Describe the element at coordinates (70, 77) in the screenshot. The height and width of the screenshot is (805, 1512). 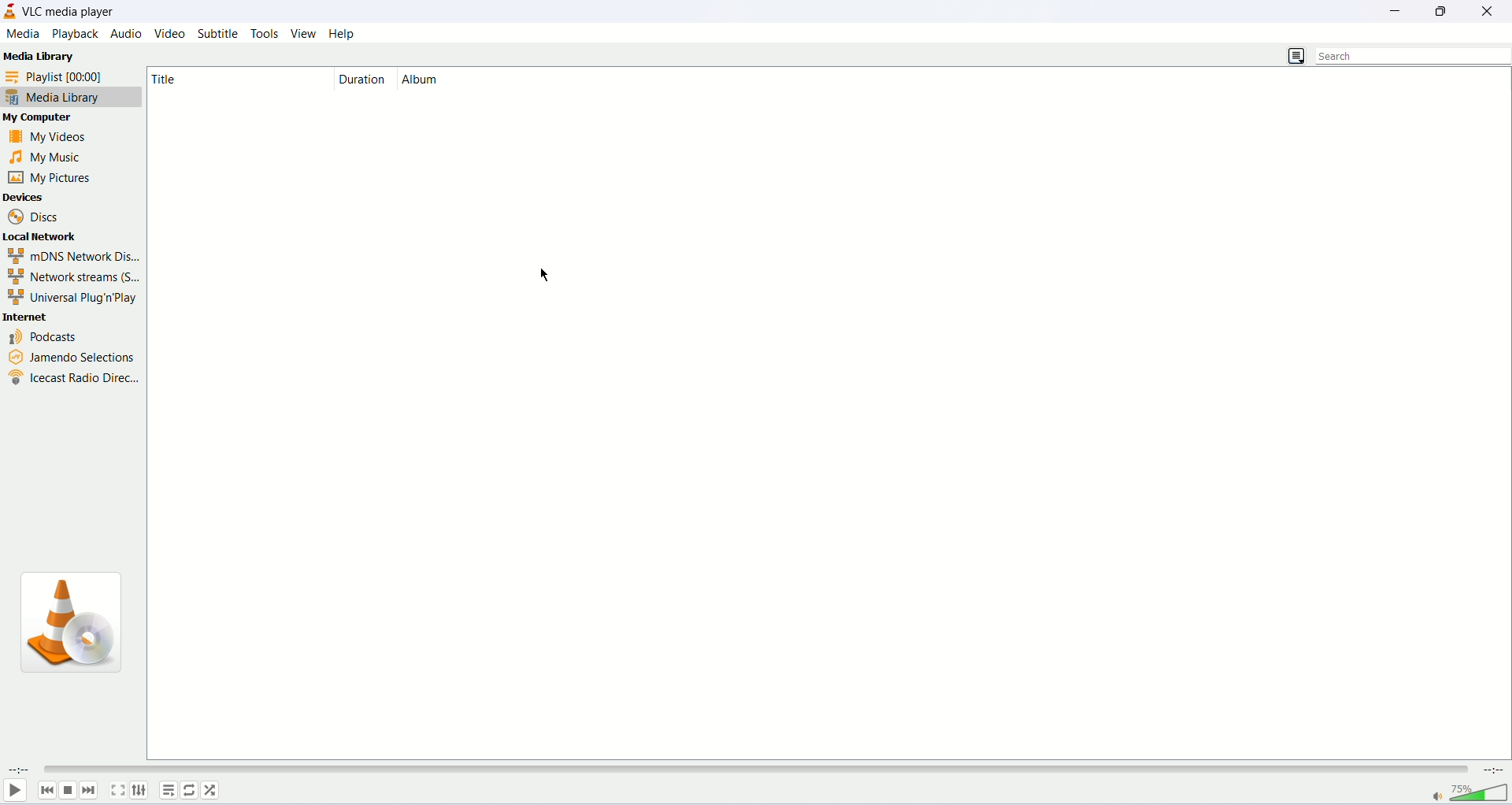
I see `playlist` at that location.